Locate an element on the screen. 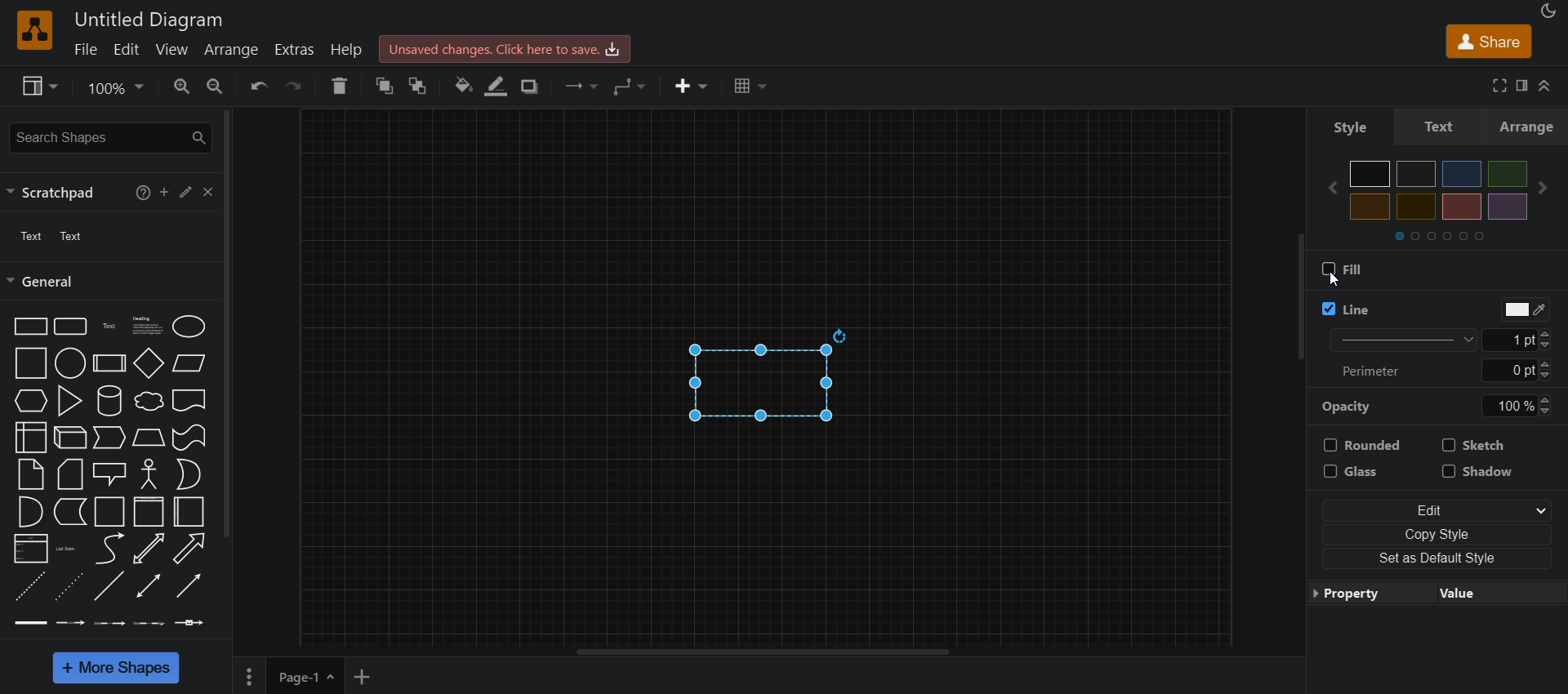 The width and height of the screenshot is (1568, 694). title is located at coordinates (149, 18).